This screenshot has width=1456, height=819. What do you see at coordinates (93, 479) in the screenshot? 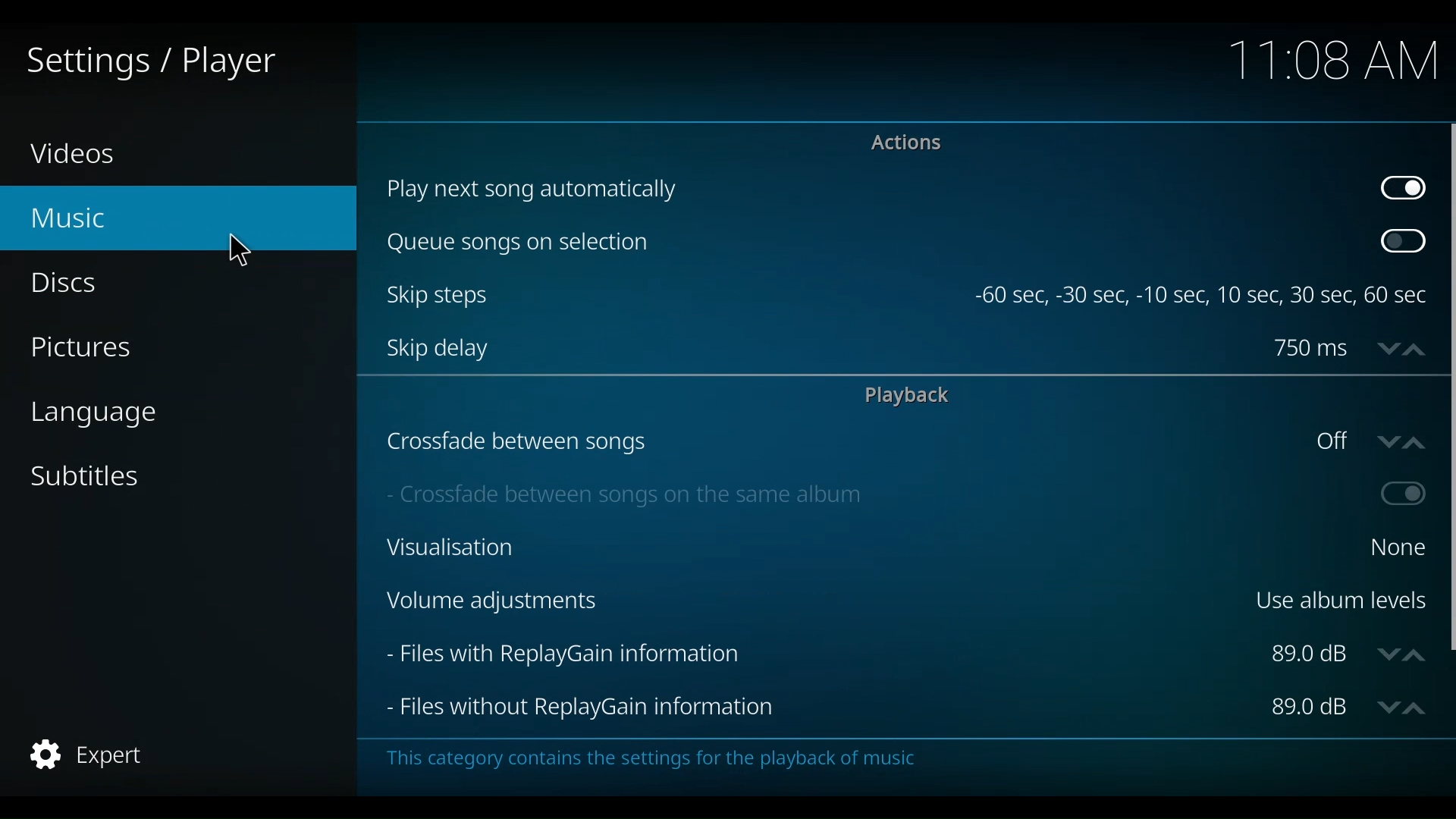
I see `Subtitles` at bounding box center [93, 479].